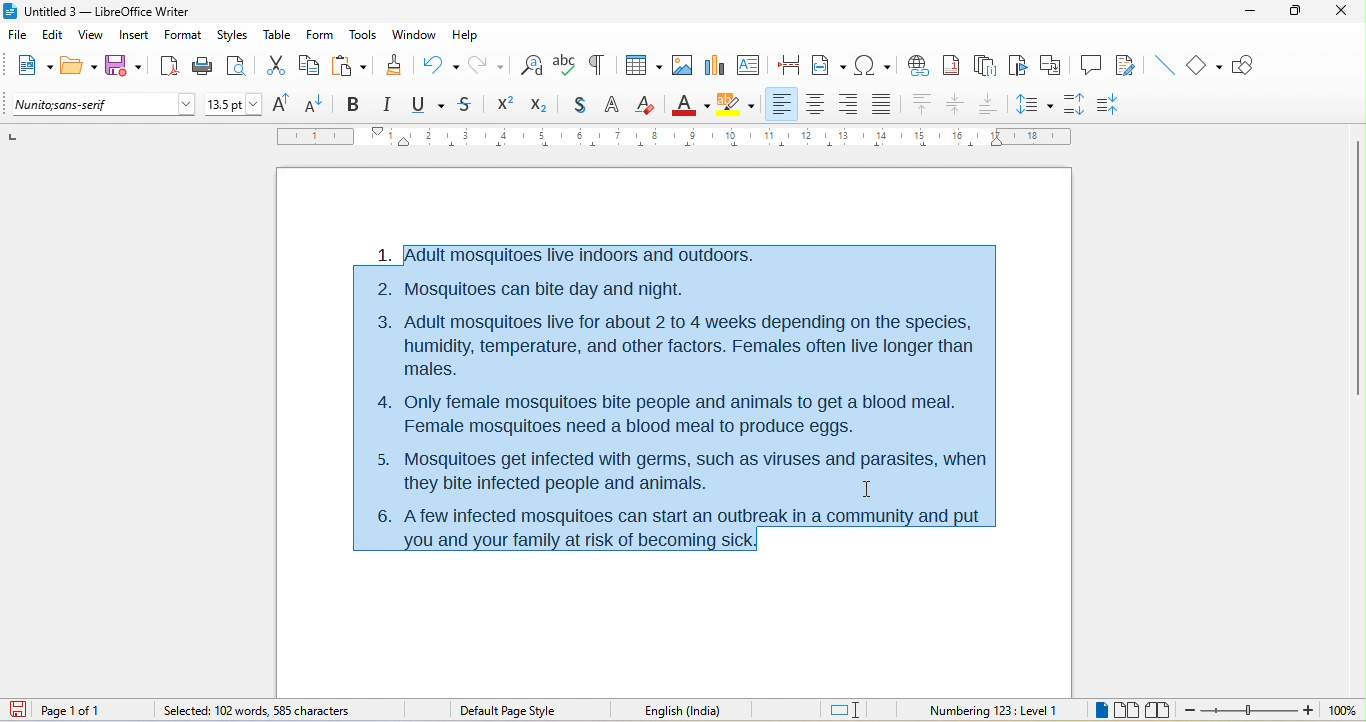 This screenshot has width=1366, height=722. Describe the element at coordinates (921, 64) in the screenshot. I see `hyperlink` at that location.